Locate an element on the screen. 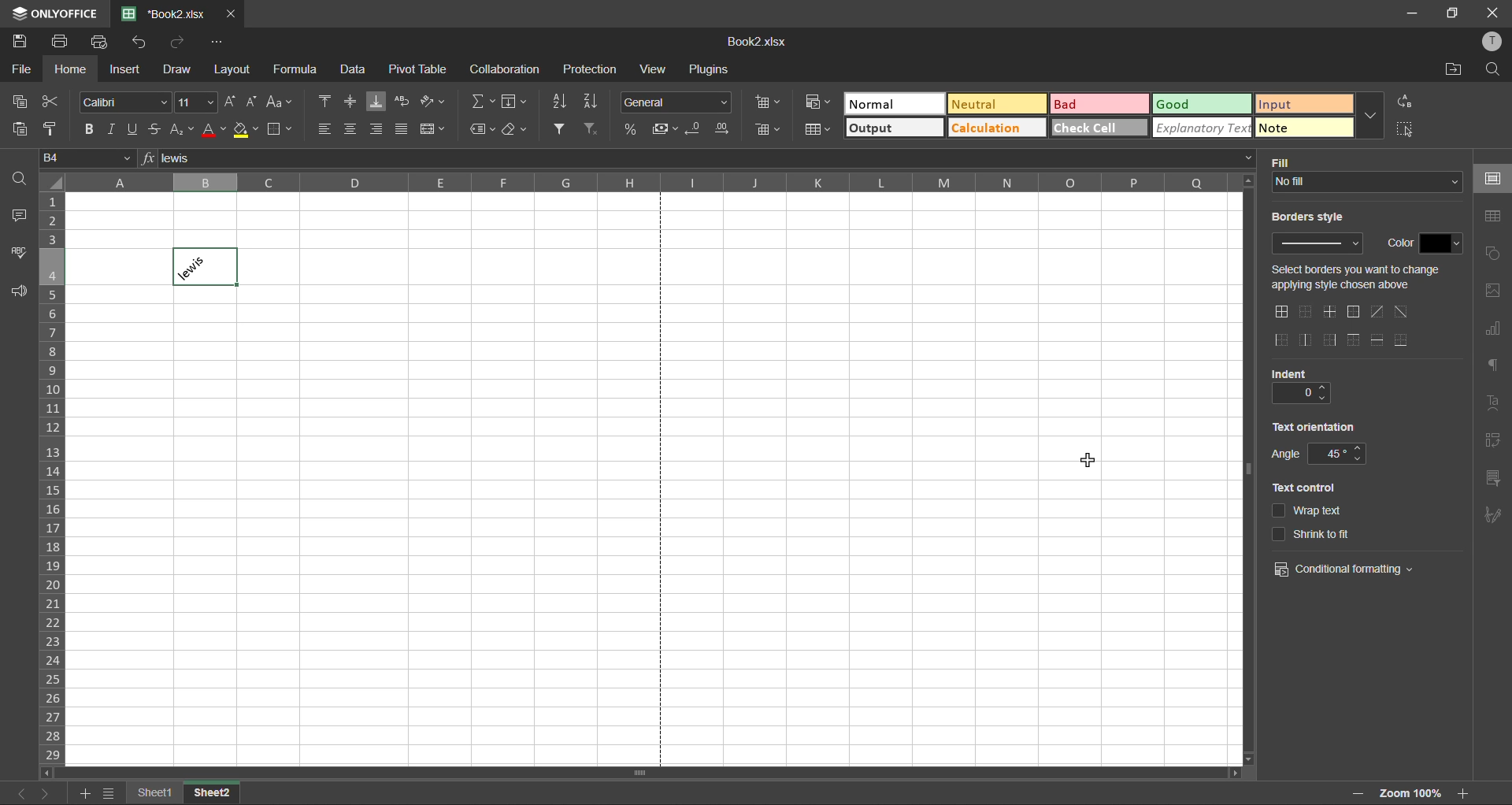  underline is located at coordinates (133, 130).